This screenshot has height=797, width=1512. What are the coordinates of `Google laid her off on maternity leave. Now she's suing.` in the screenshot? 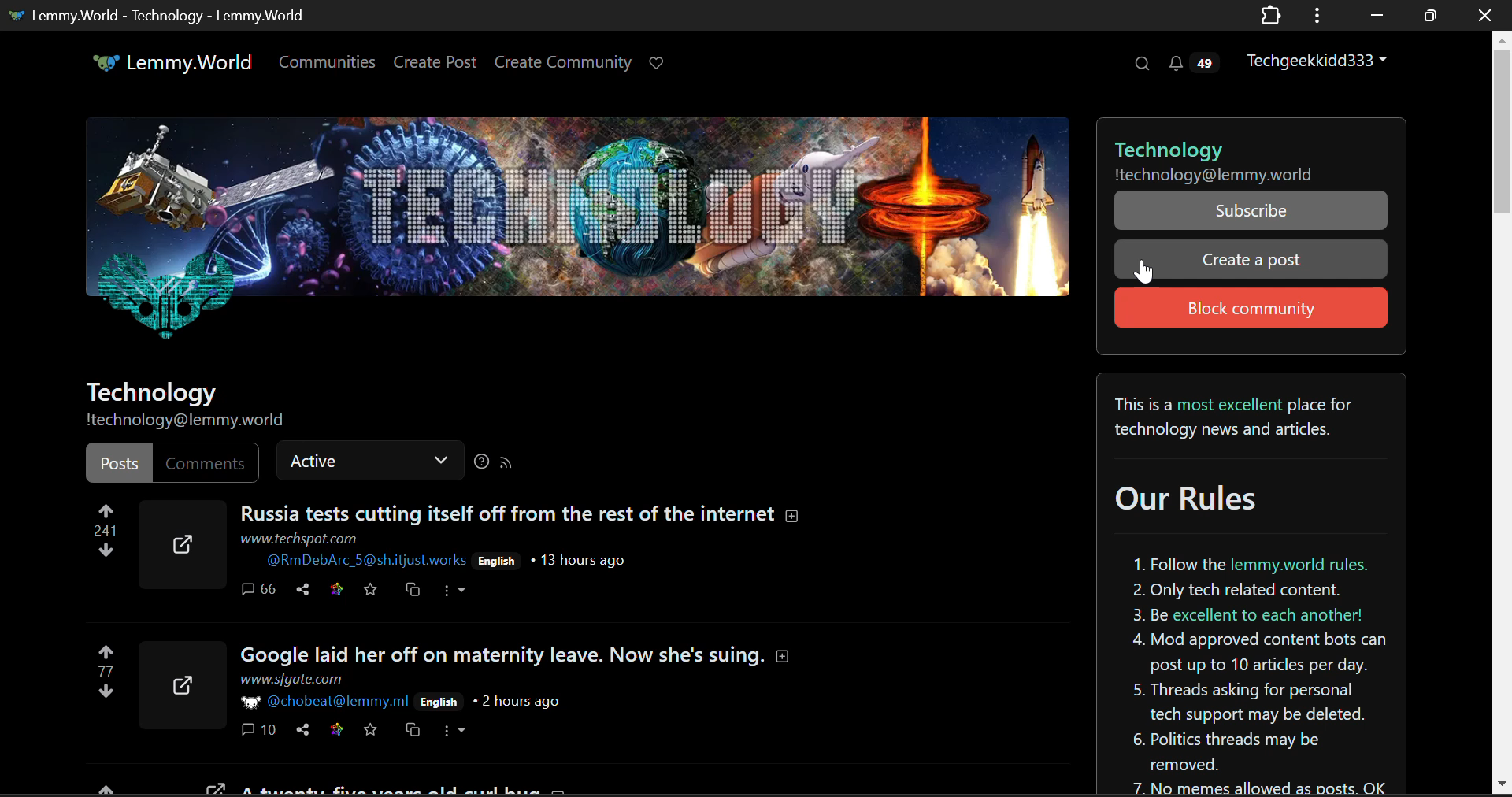 It's located at (518, 655).